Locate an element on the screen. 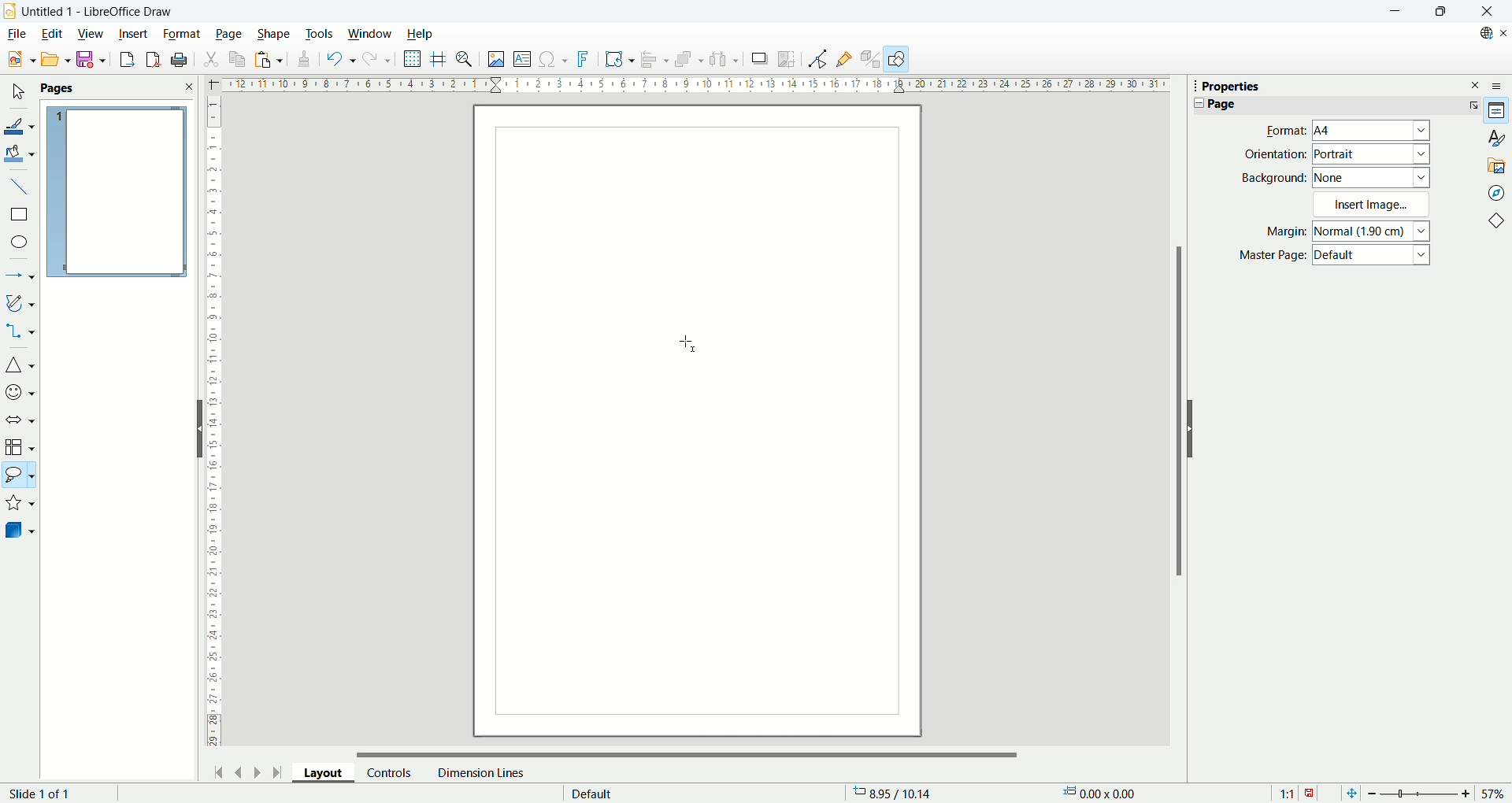 The width and height of the screenshot is (1512, 803). new is located at coordinates (18, 60).